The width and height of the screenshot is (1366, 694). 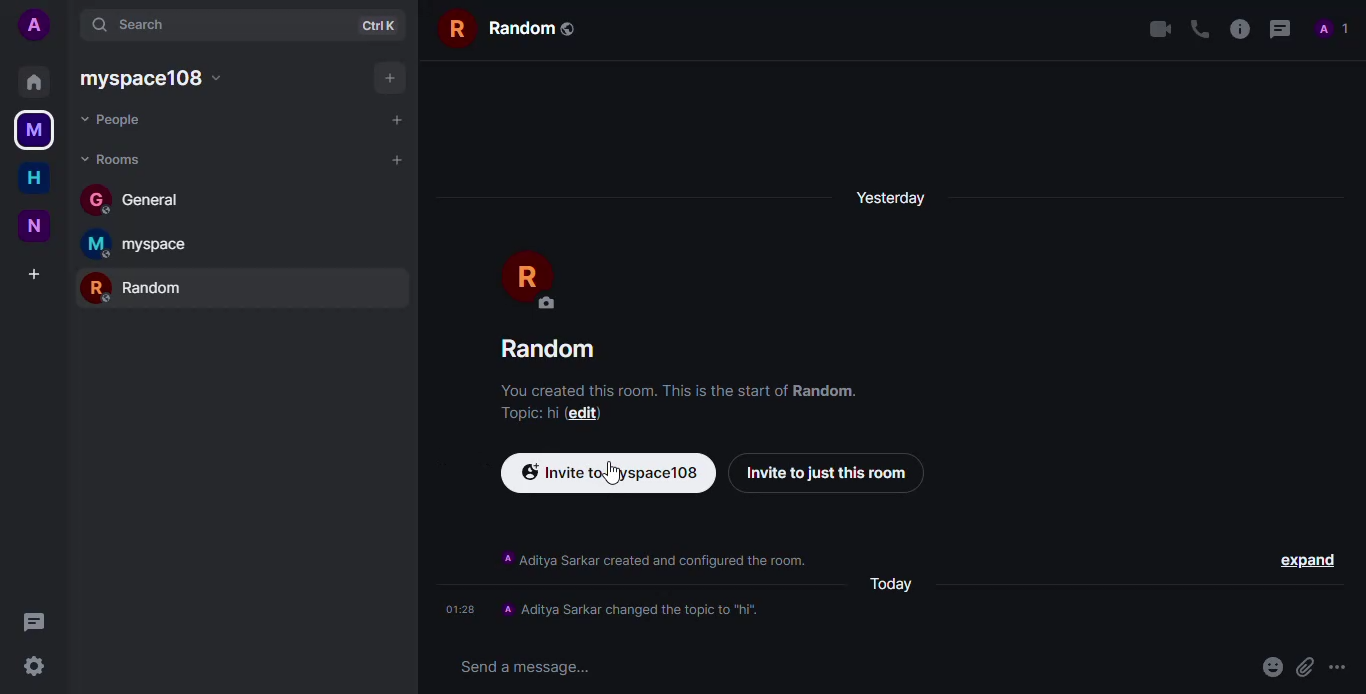 What do you see at coordinates (638, 611) in the screenshot?
I see `` at bounding box center [638, 611].